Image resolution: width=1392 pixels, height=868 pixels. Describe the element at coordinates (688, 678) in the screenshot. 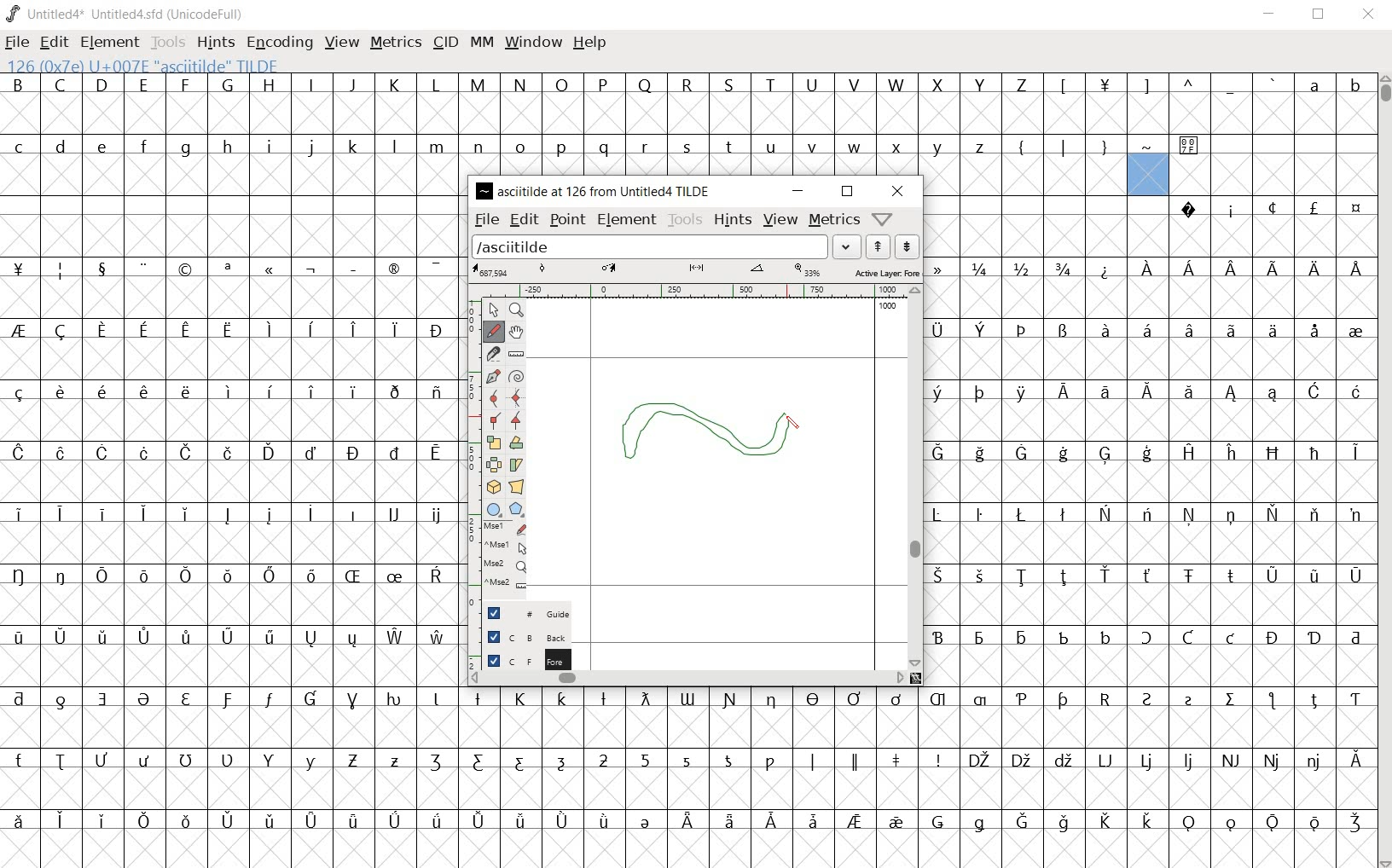

I see `scrollbar` at that location.